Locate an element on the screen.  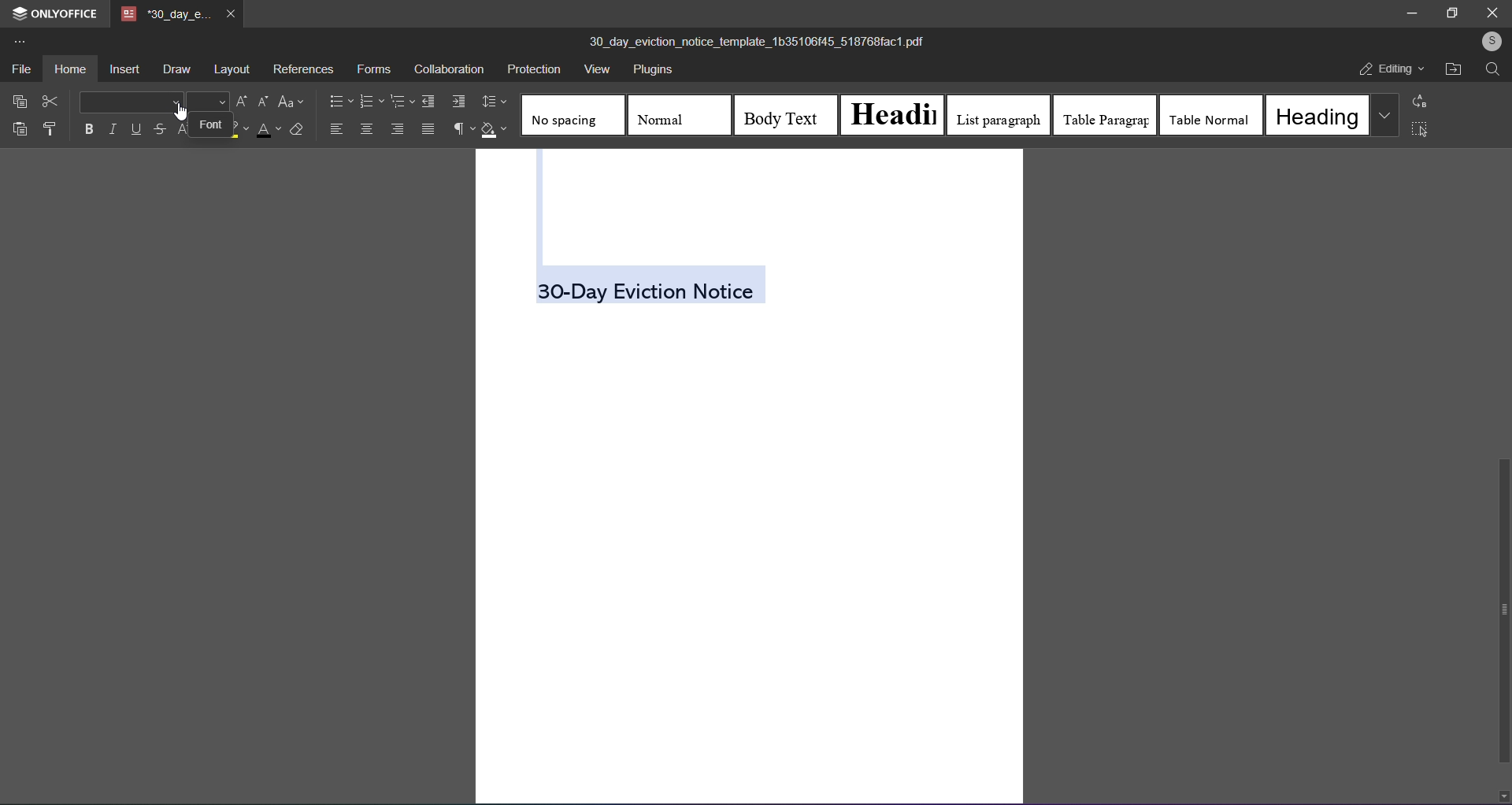
search is located at coordinates (1494, 70).